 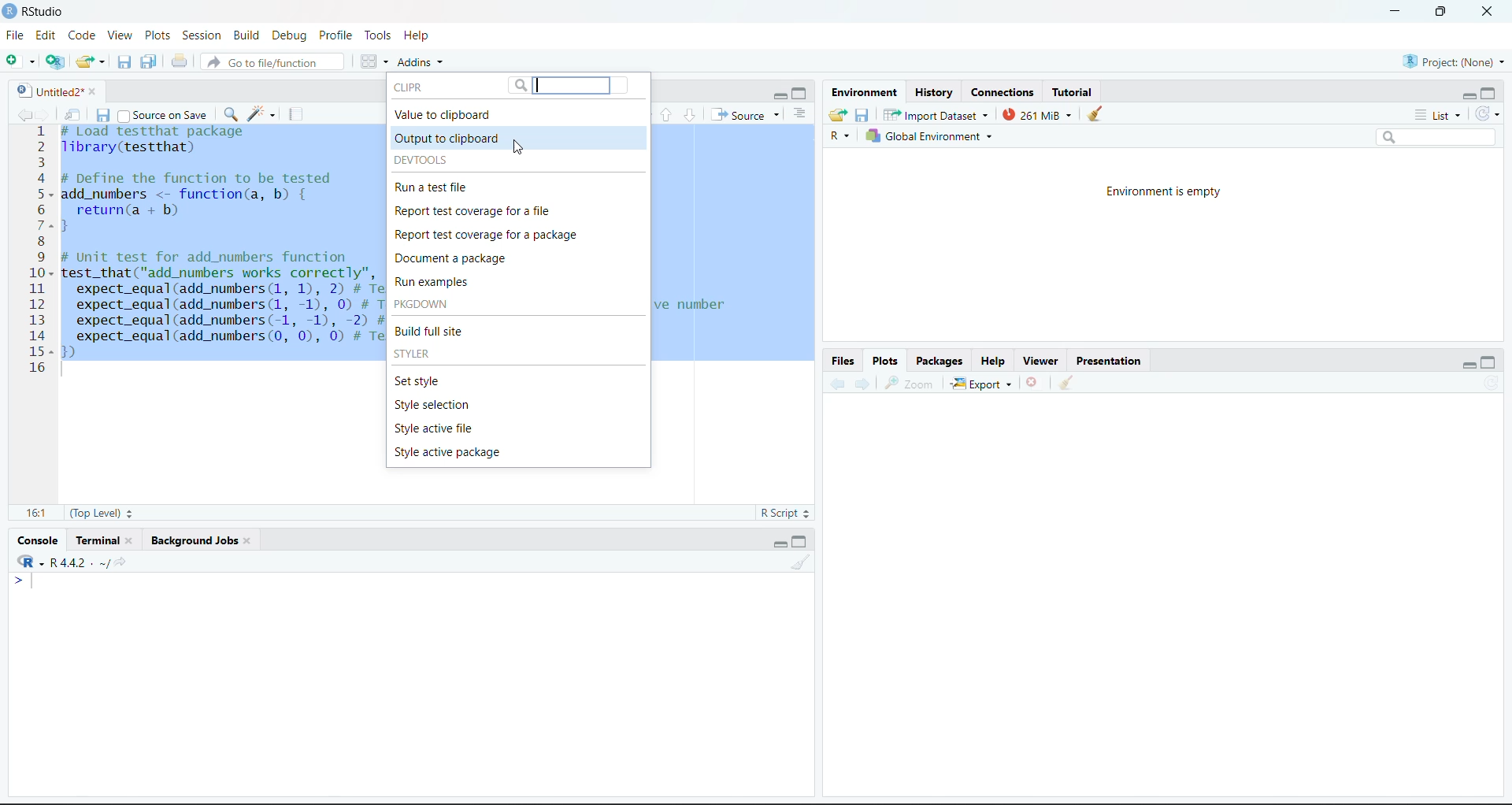 I want to click on 261 Mib, so click(x=1038, y=115).